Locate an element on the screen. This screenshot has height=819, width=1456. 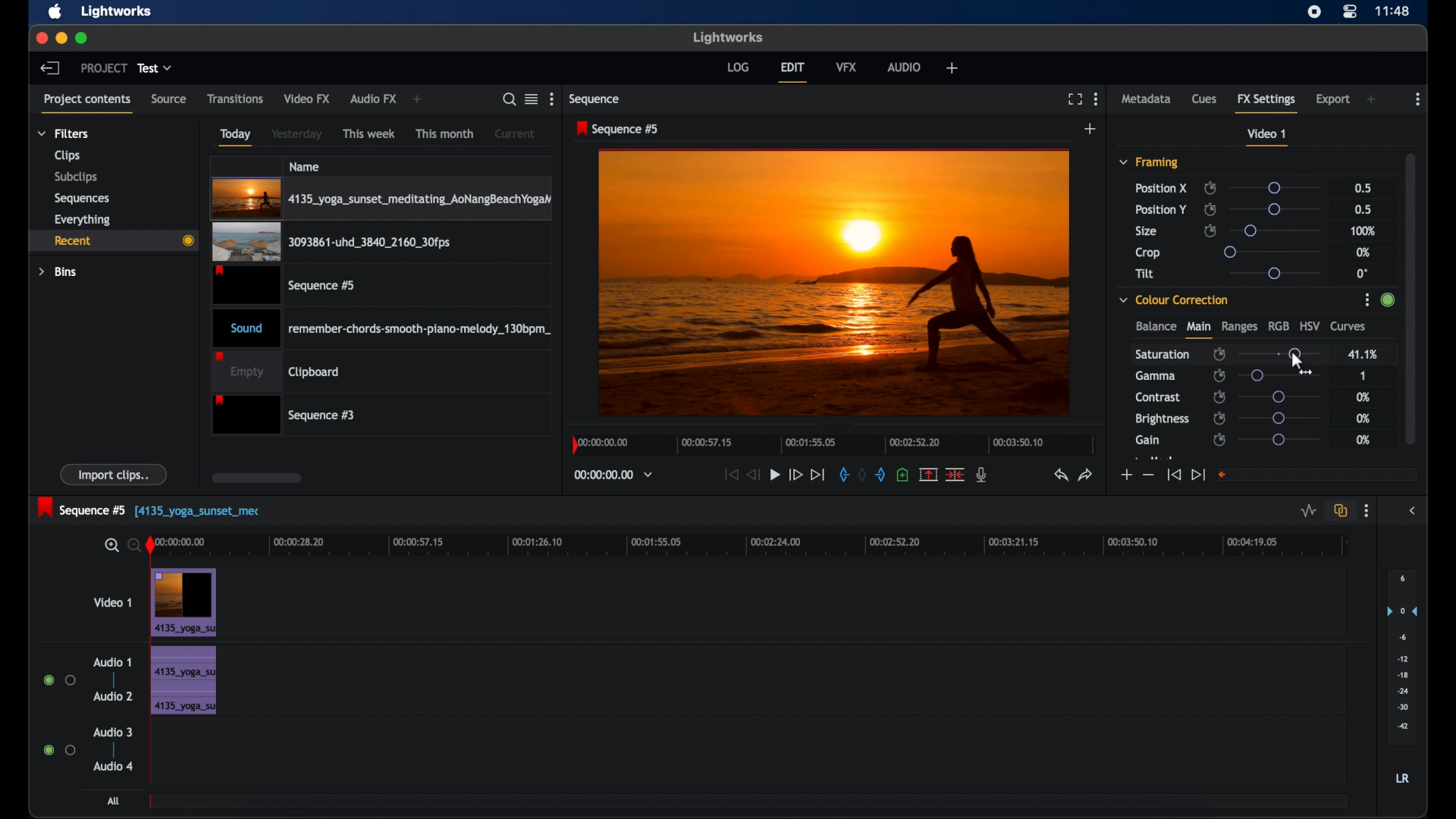
fx settings is located at coordinates (1268, 102).